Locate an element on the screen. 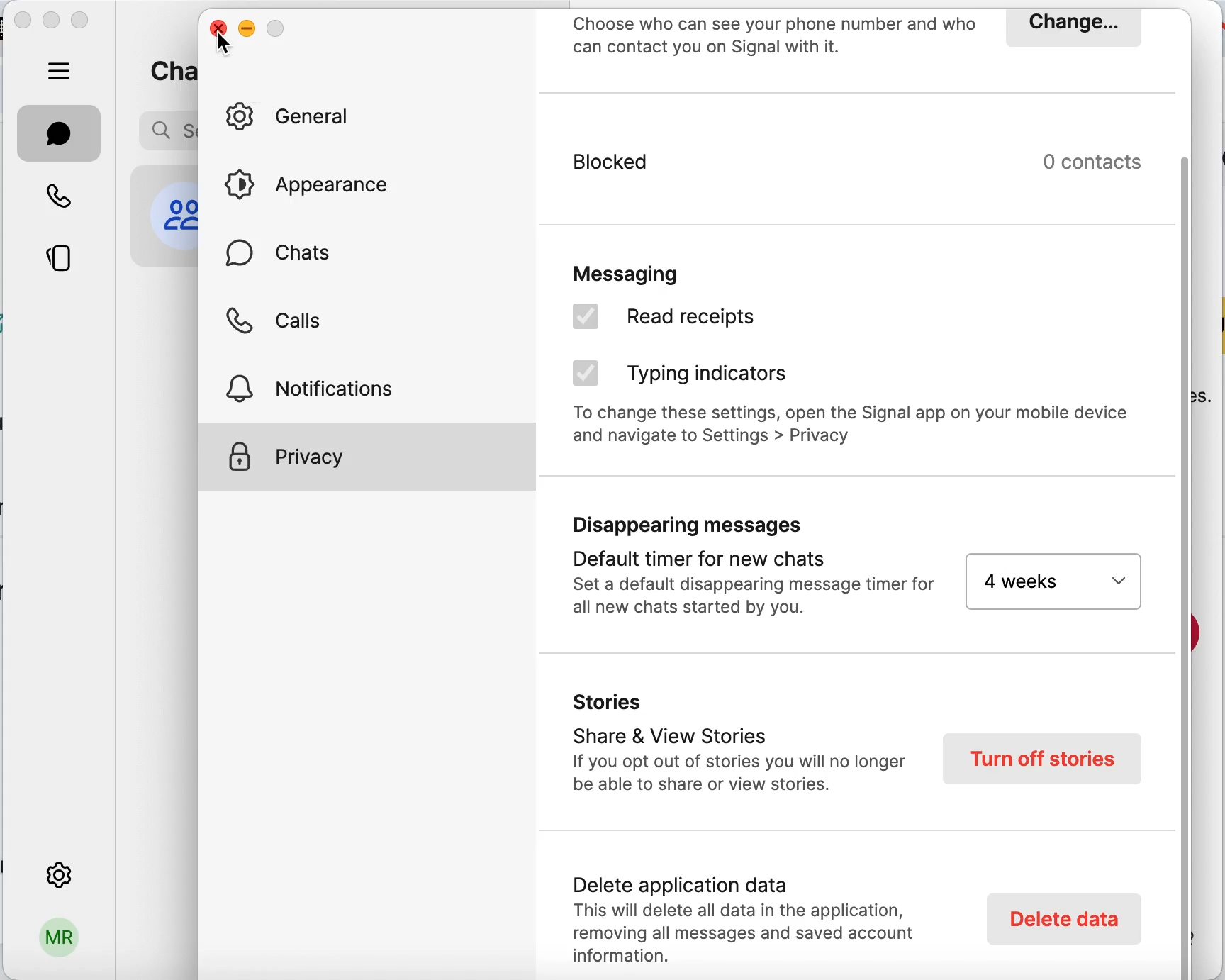 The width and height of the screenshot is (1225, 980). cursor is located at coordinates (224, 43).